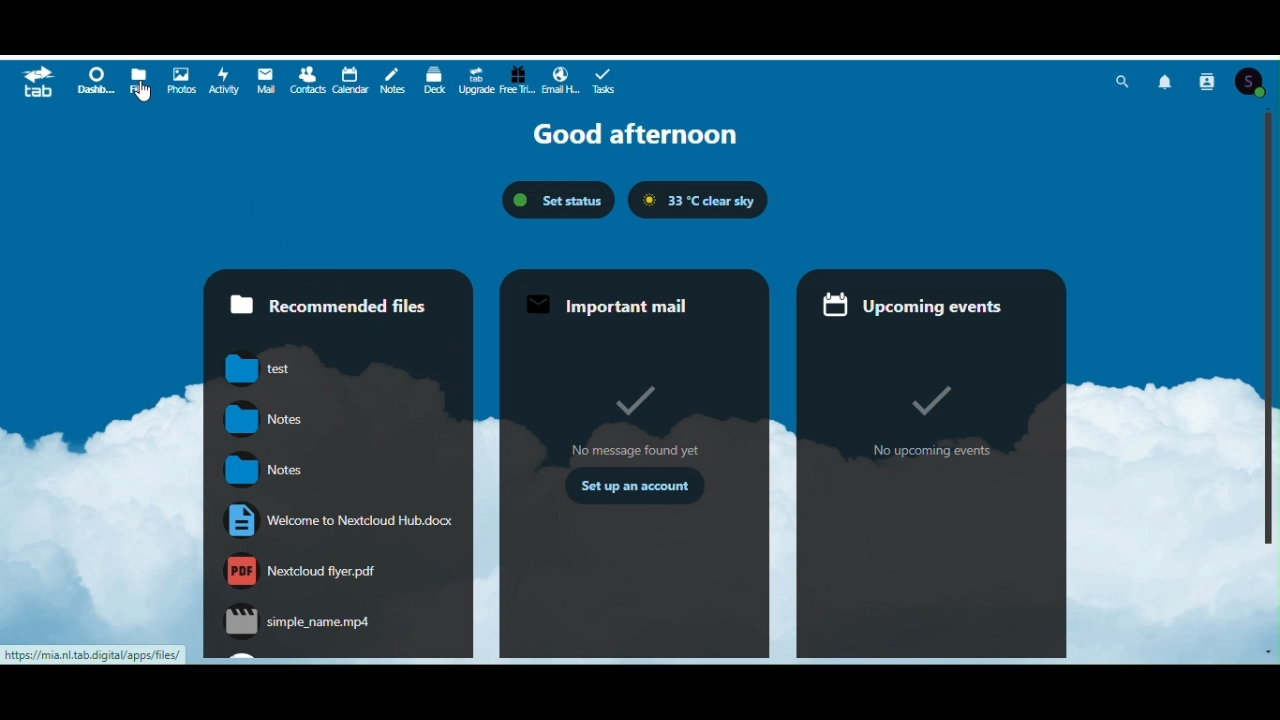 Image resolution: width=1280 pixels, height=720 pixels. What do you see at coordinates (433, 78) in the screenshot?
I see `Deck` at bounding box center [433, 78].